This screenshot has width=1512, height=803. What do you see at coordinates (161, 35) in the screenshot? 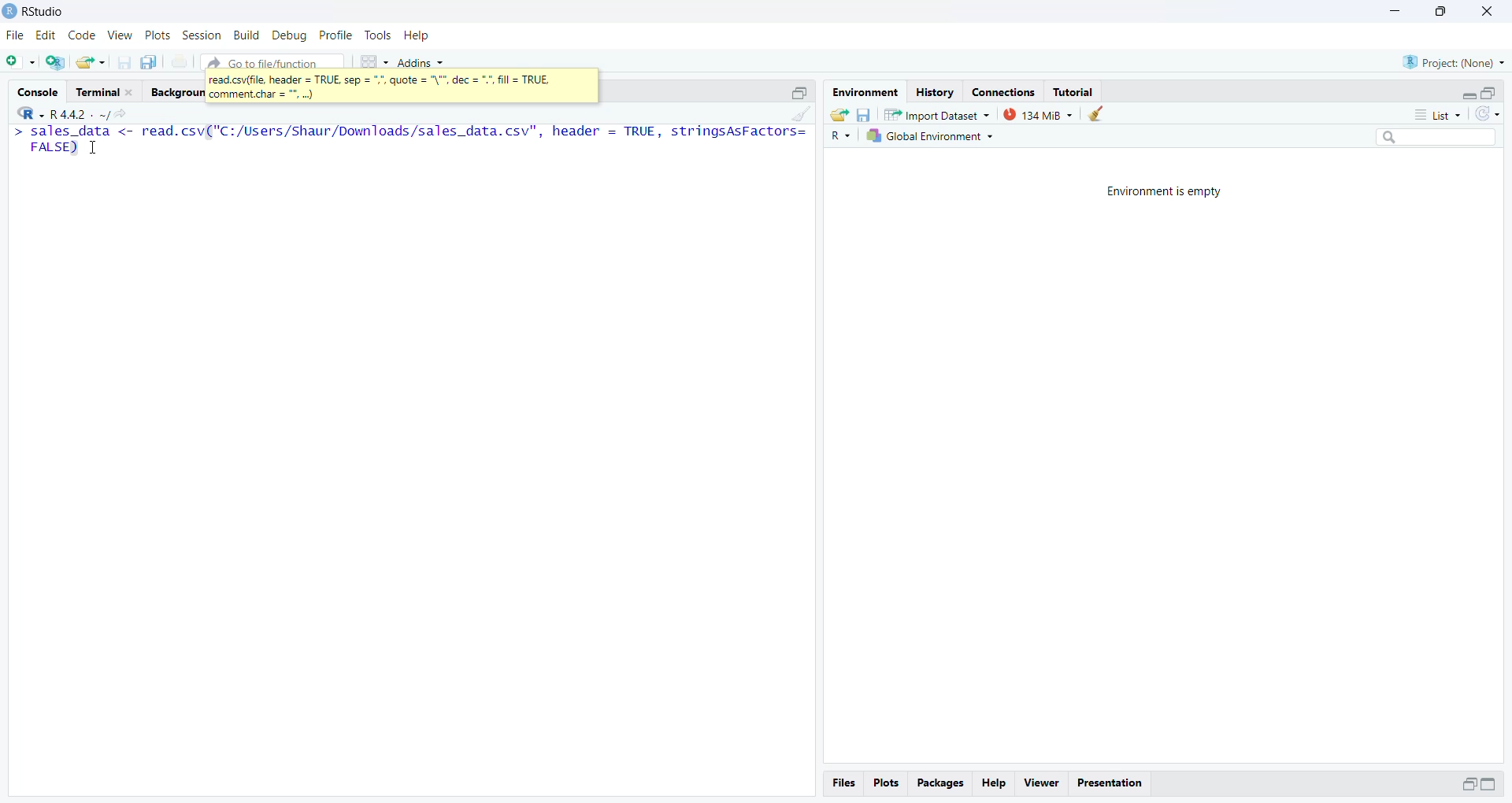
I see `Plots` at bounding box center [161, 35].